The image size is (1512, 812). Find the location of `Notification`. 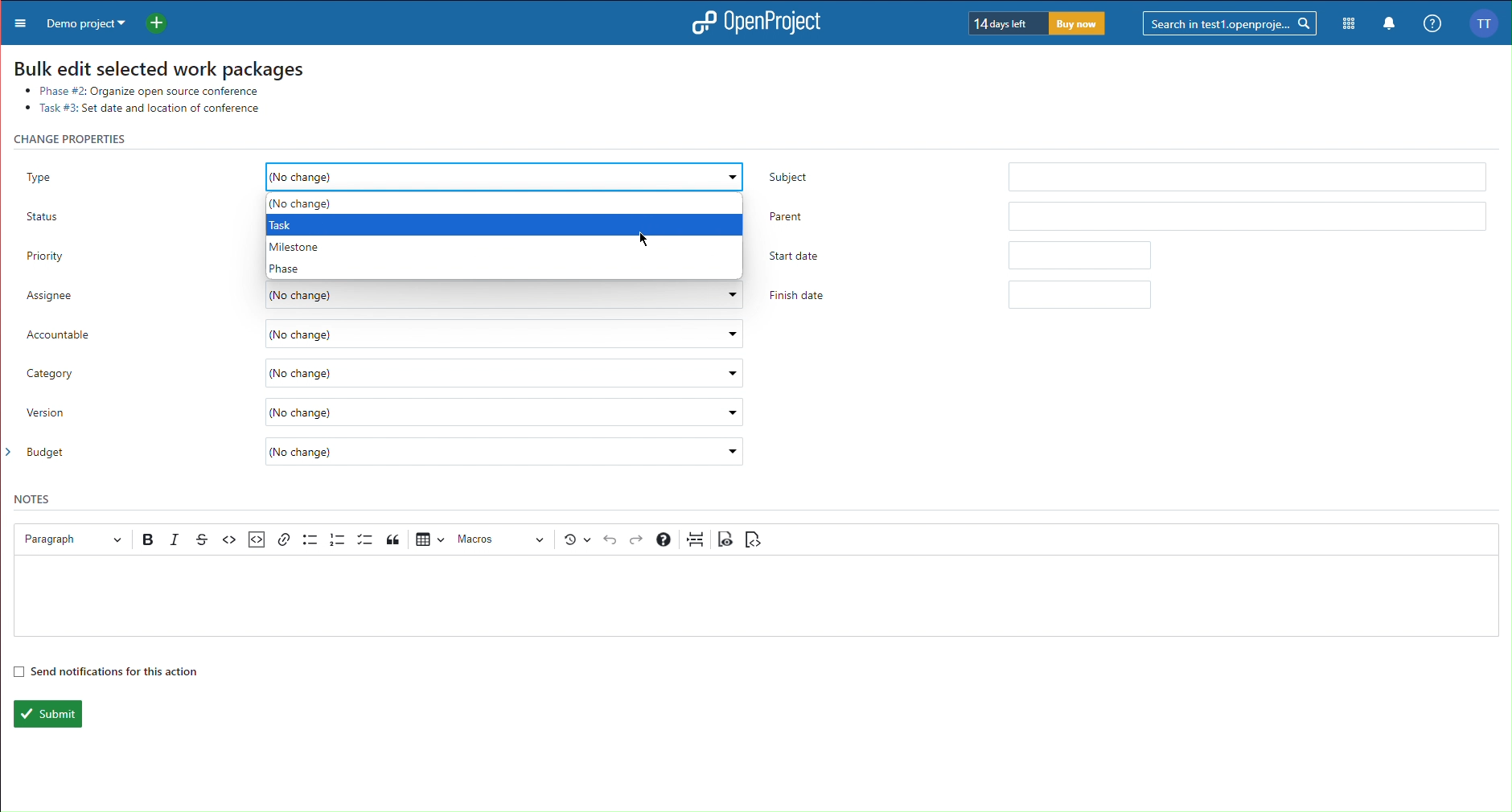

Notification is located at coordinates (1390, 25).